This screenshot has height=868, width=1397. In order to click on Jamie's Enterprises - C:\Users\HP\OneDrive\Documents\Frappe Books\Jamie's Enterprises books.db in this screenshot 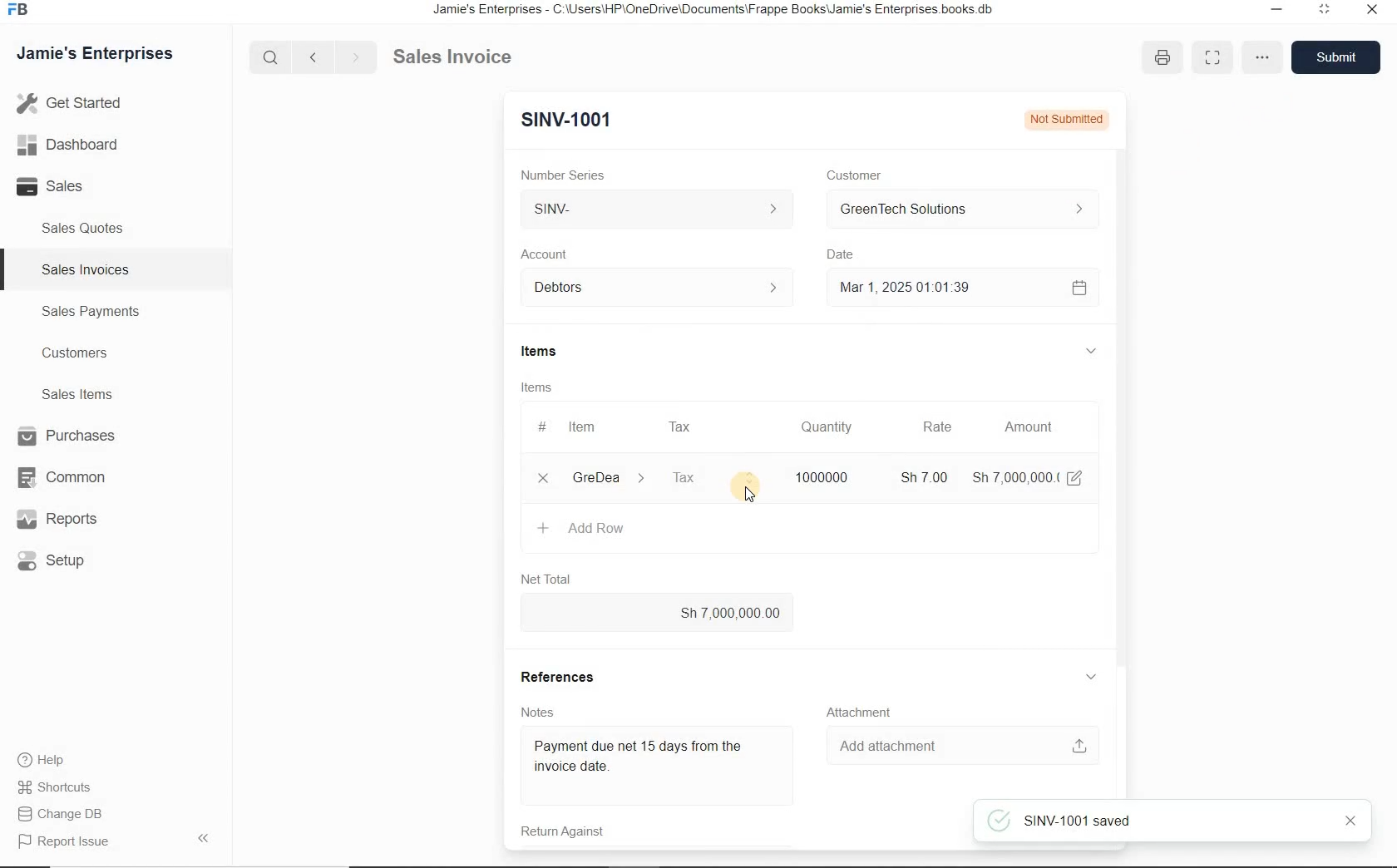, I will do `click(718, 11)`.